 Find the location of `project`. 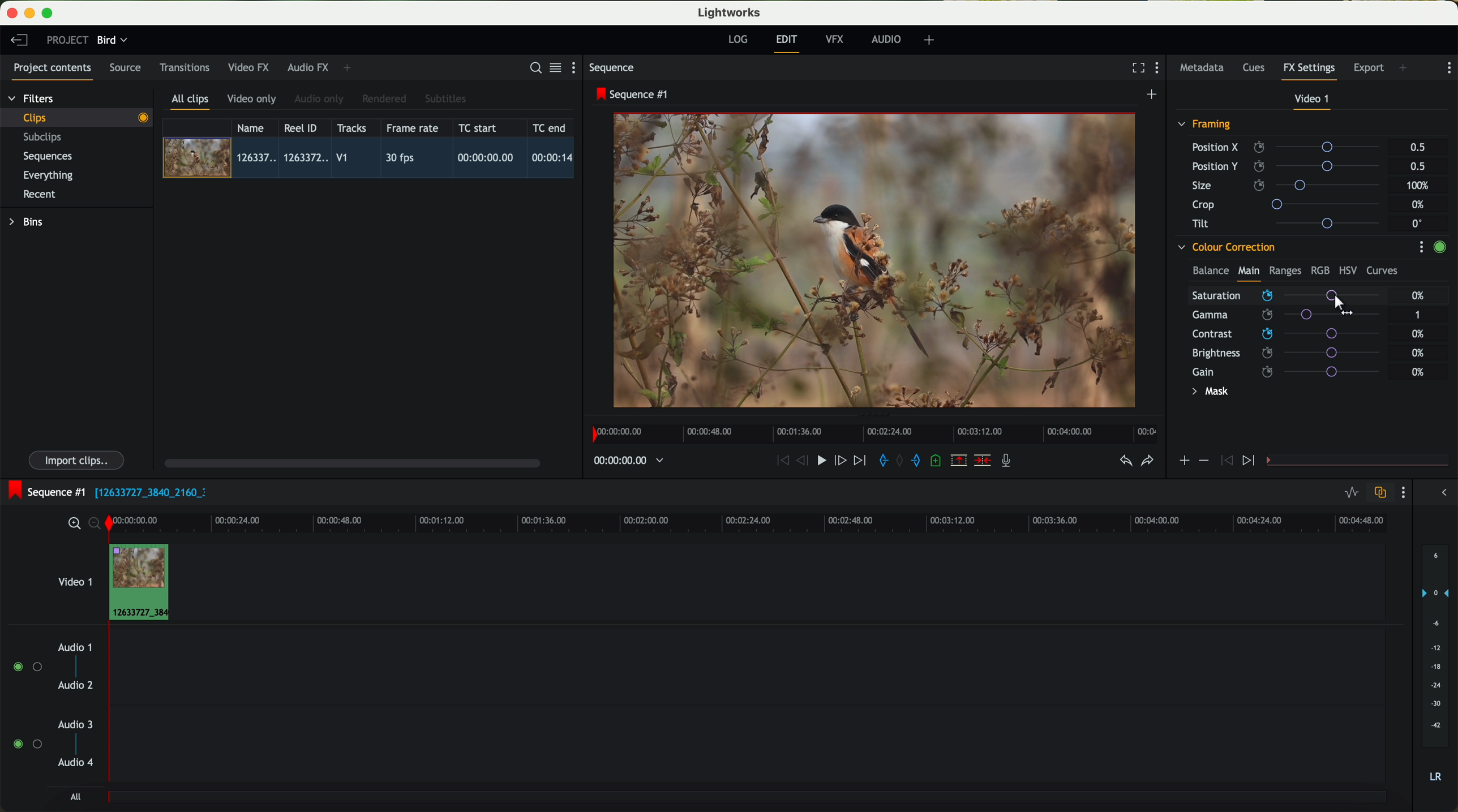

project is located at coordinates (67, 40).